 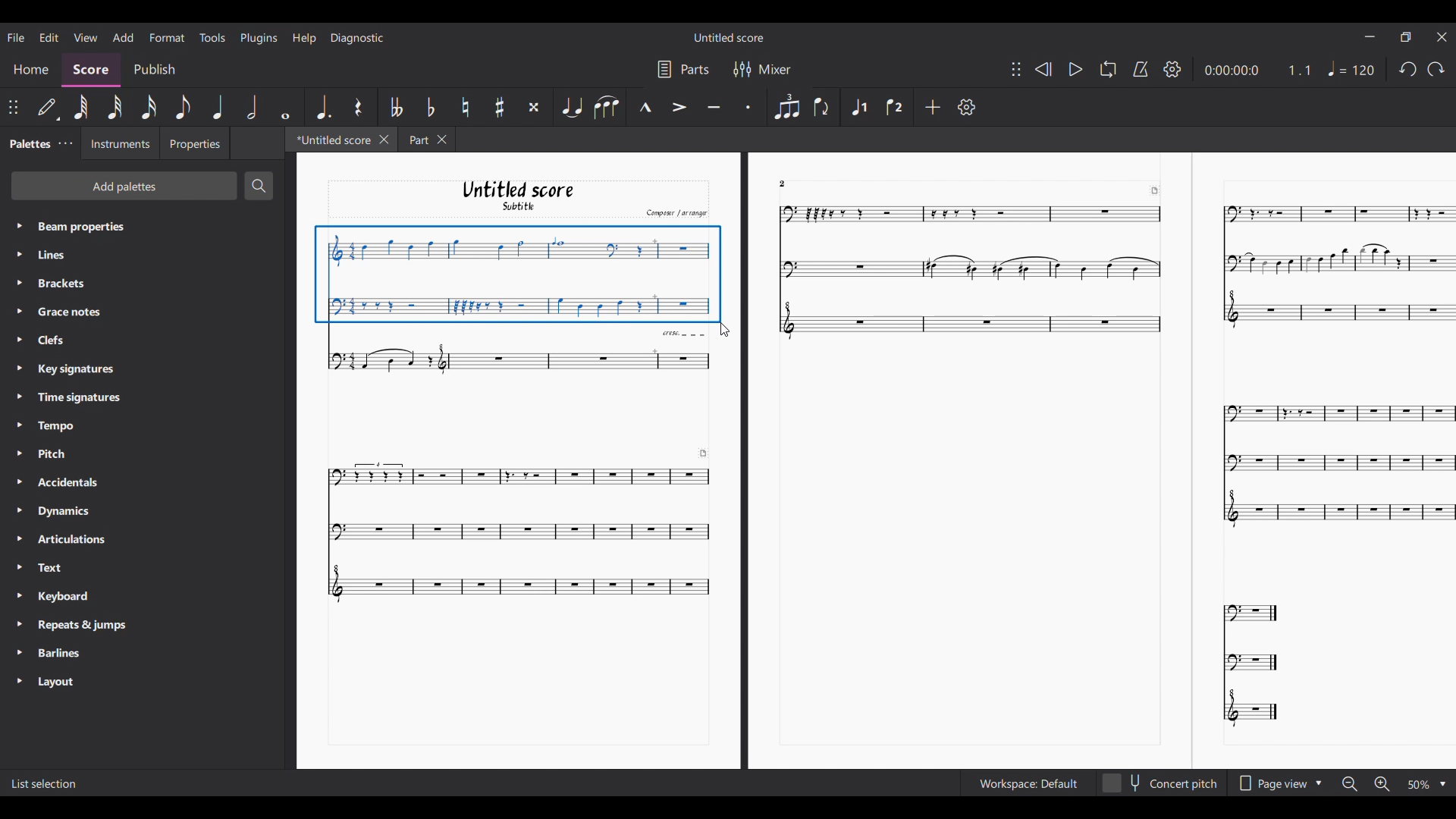 What do you see at coordinates (153, 69) in the screenshot?
I see `Publish` at bounding box center [153, 69].